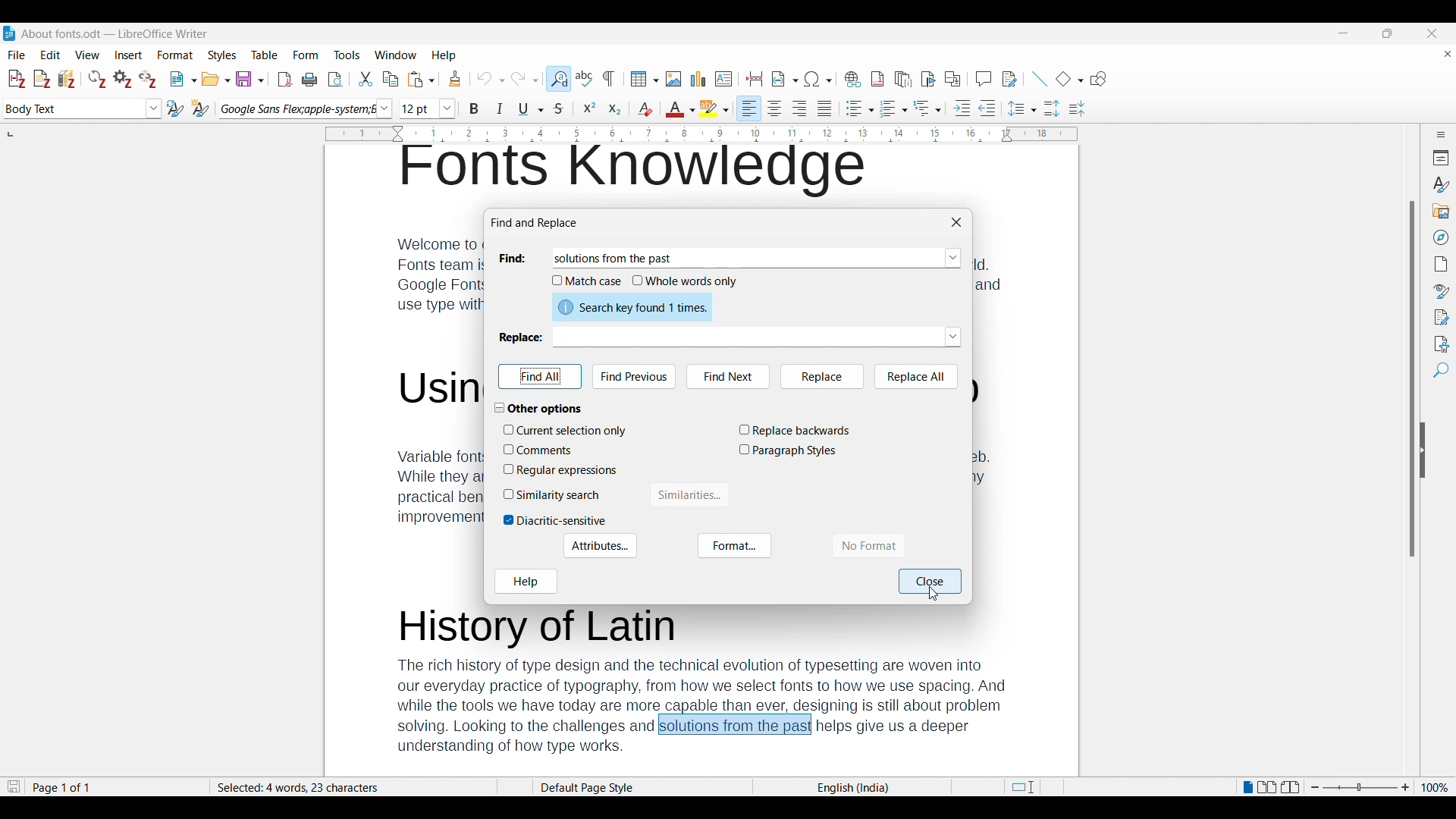 This screenshot has height=819, width=1456. Describe the element at coordinates (491, 79) in the screenshot. I see `Undo` at that location.